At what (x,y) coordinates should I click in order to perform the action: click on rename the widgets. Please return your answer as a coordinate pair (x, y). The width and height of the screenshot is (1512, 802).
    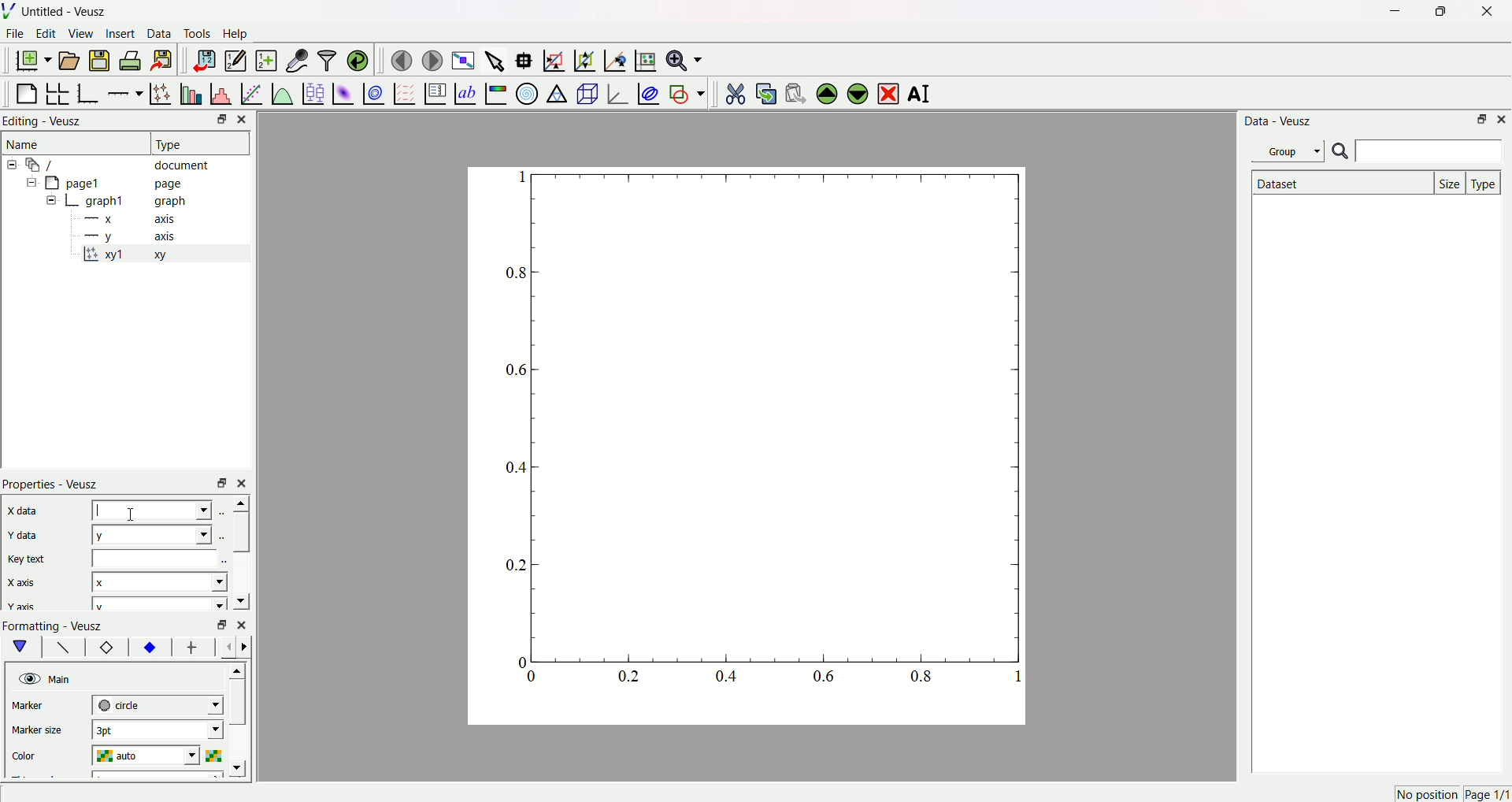
    Looking at the image, I should click on (921, 95).